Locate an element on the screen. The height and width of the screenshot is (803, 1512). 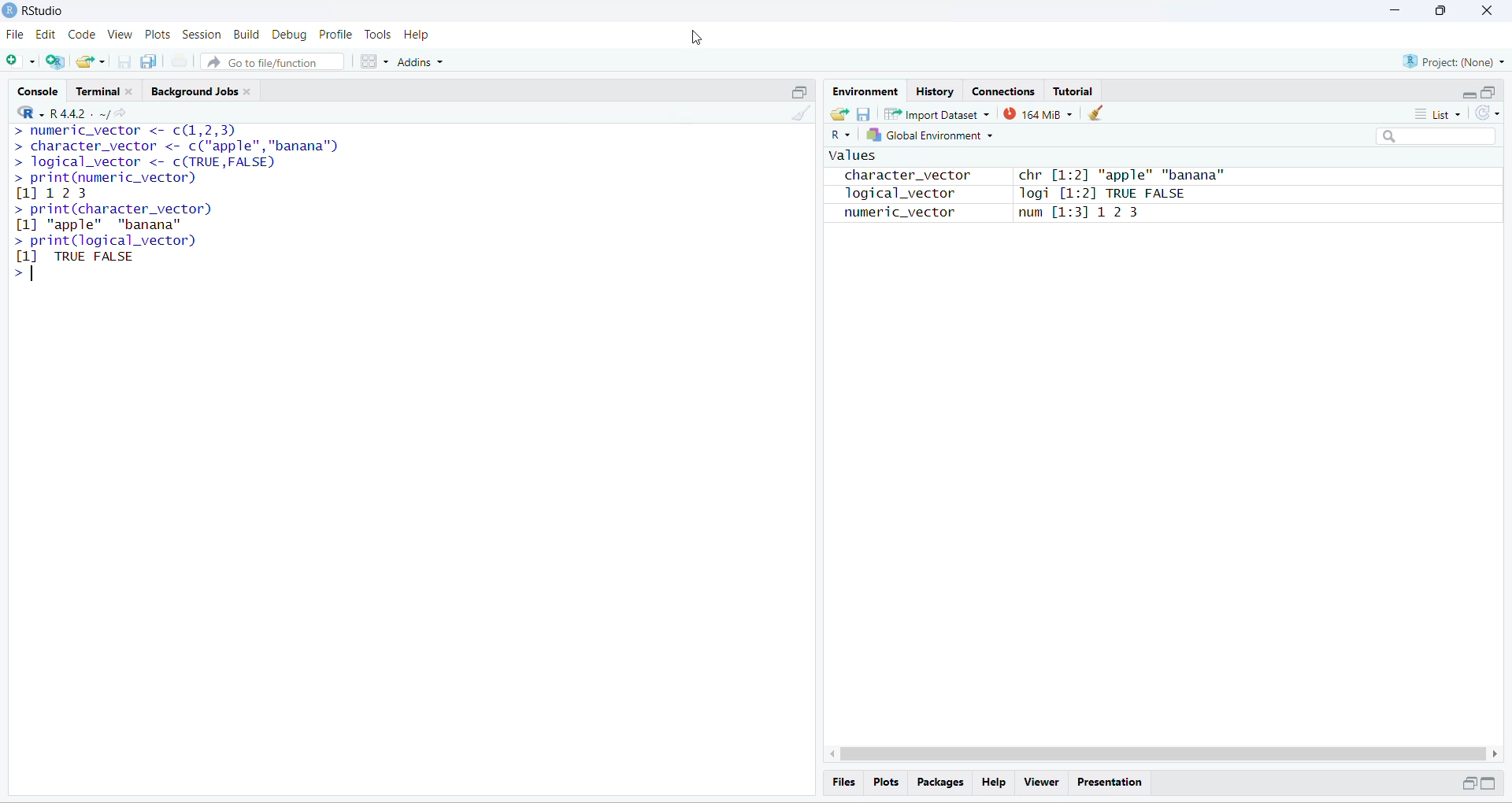
workspace panes is located at coordinates (373, 61).